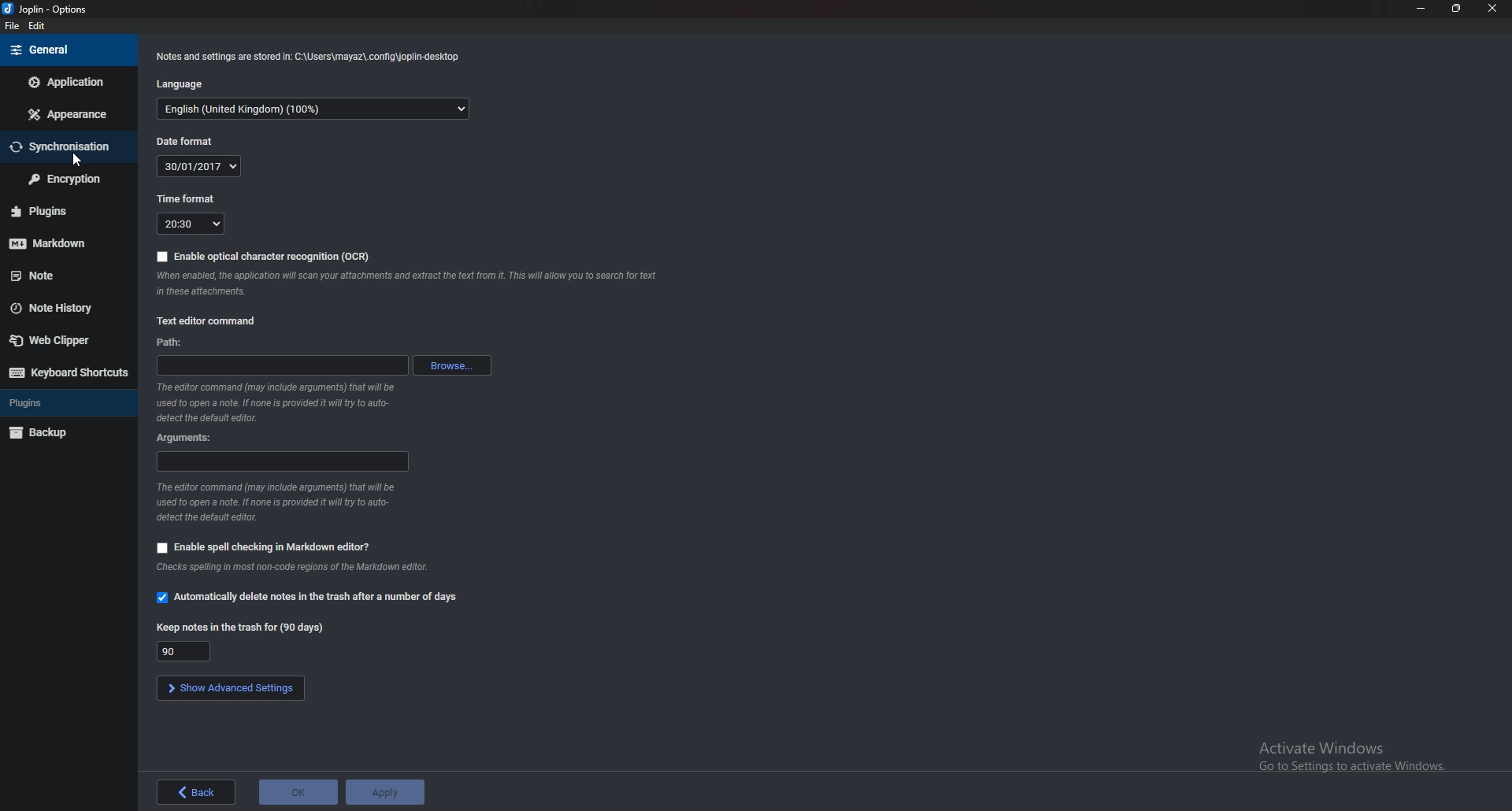 The height and width of the screenshot is (811, 1512). What do you see at coordinates (47, 9) in the screenshot?
I see `options` at bounding box center [47, 9].